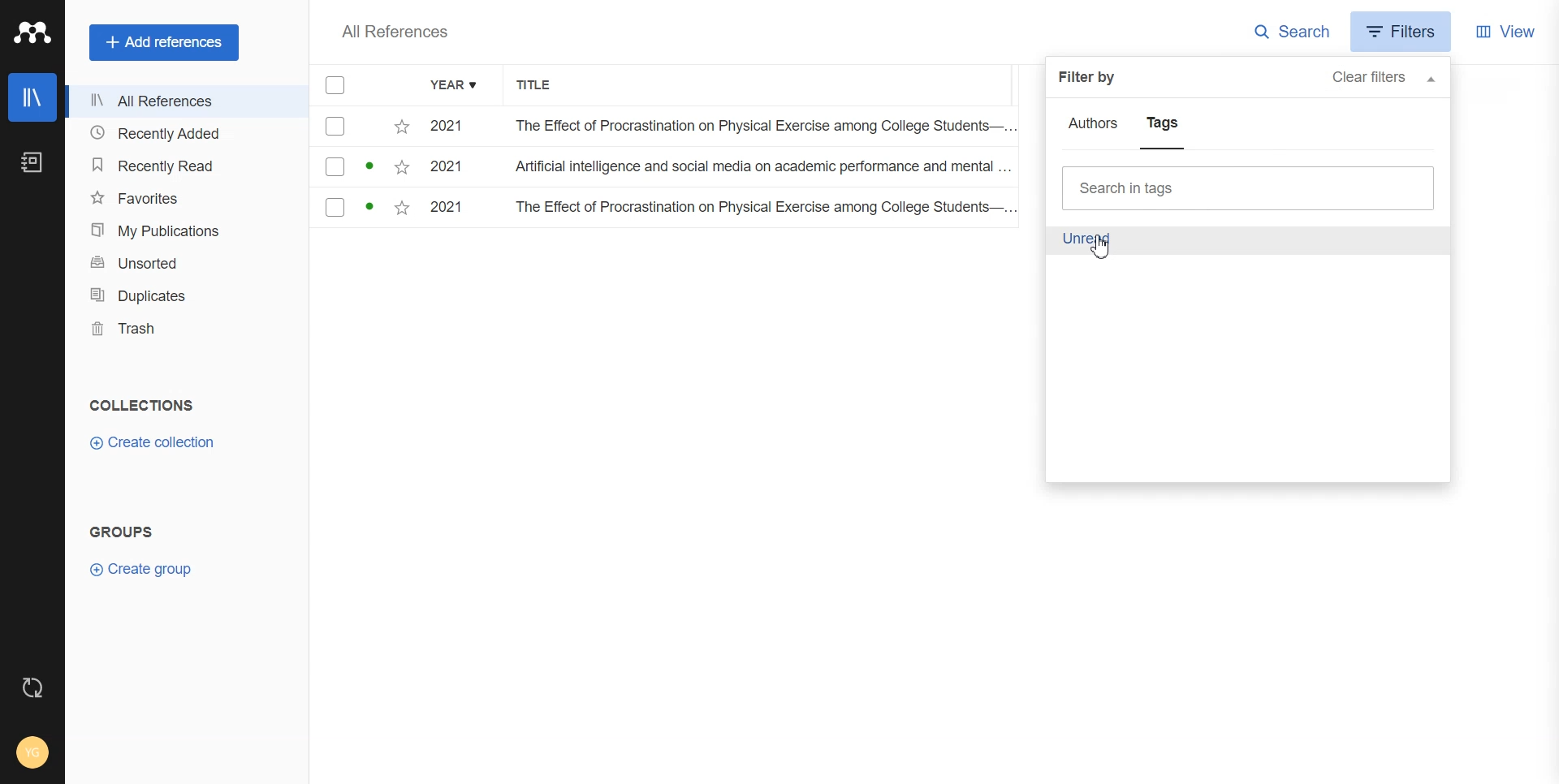 This screenshot has width=1559, height=784. What do you see at coordinates (185, 230) in the screenshot?
I see `My Publication` at bounding box center [185, 230].